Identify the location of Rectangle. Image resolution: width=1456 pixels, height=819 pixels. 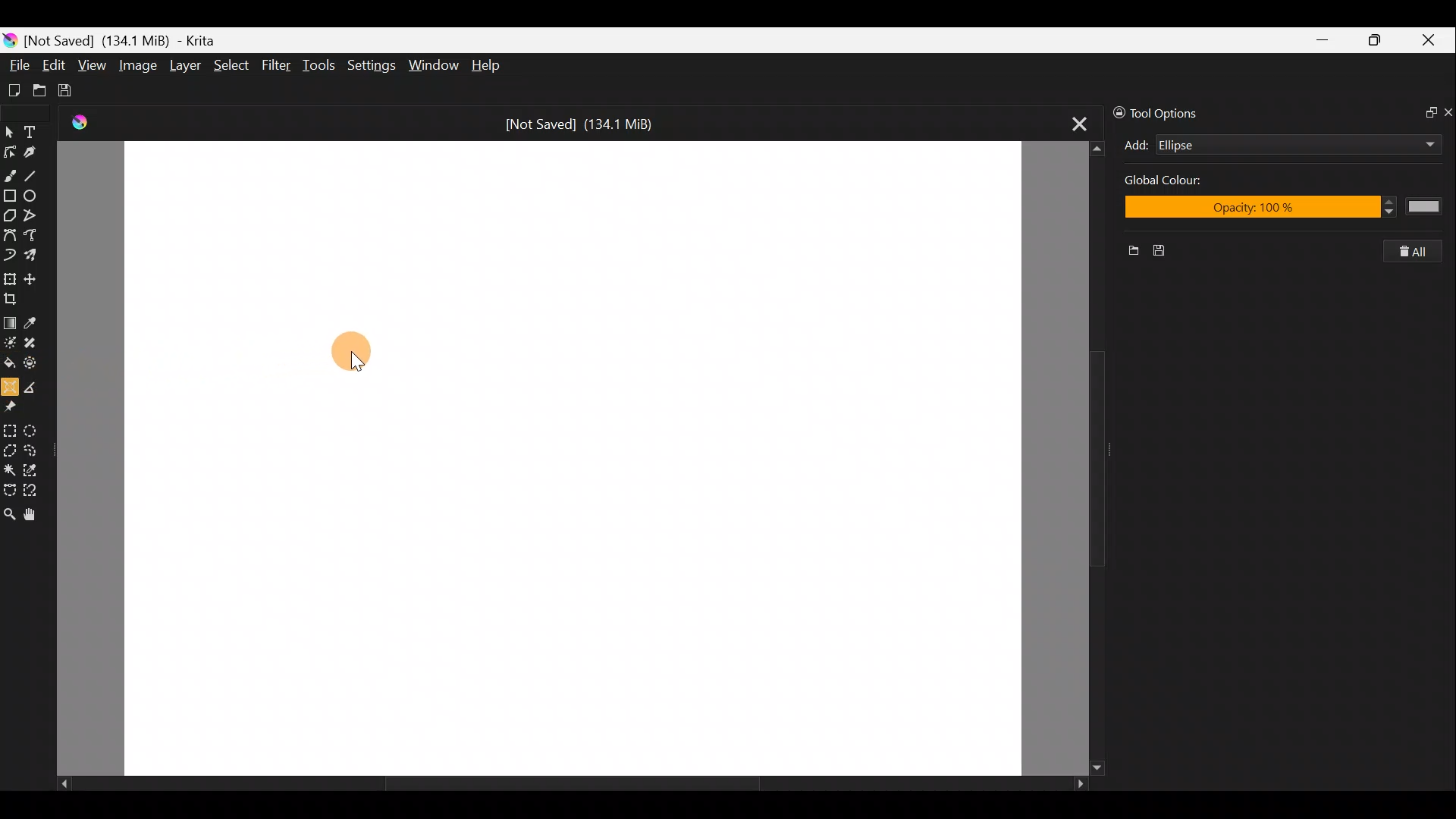
(9, 196).